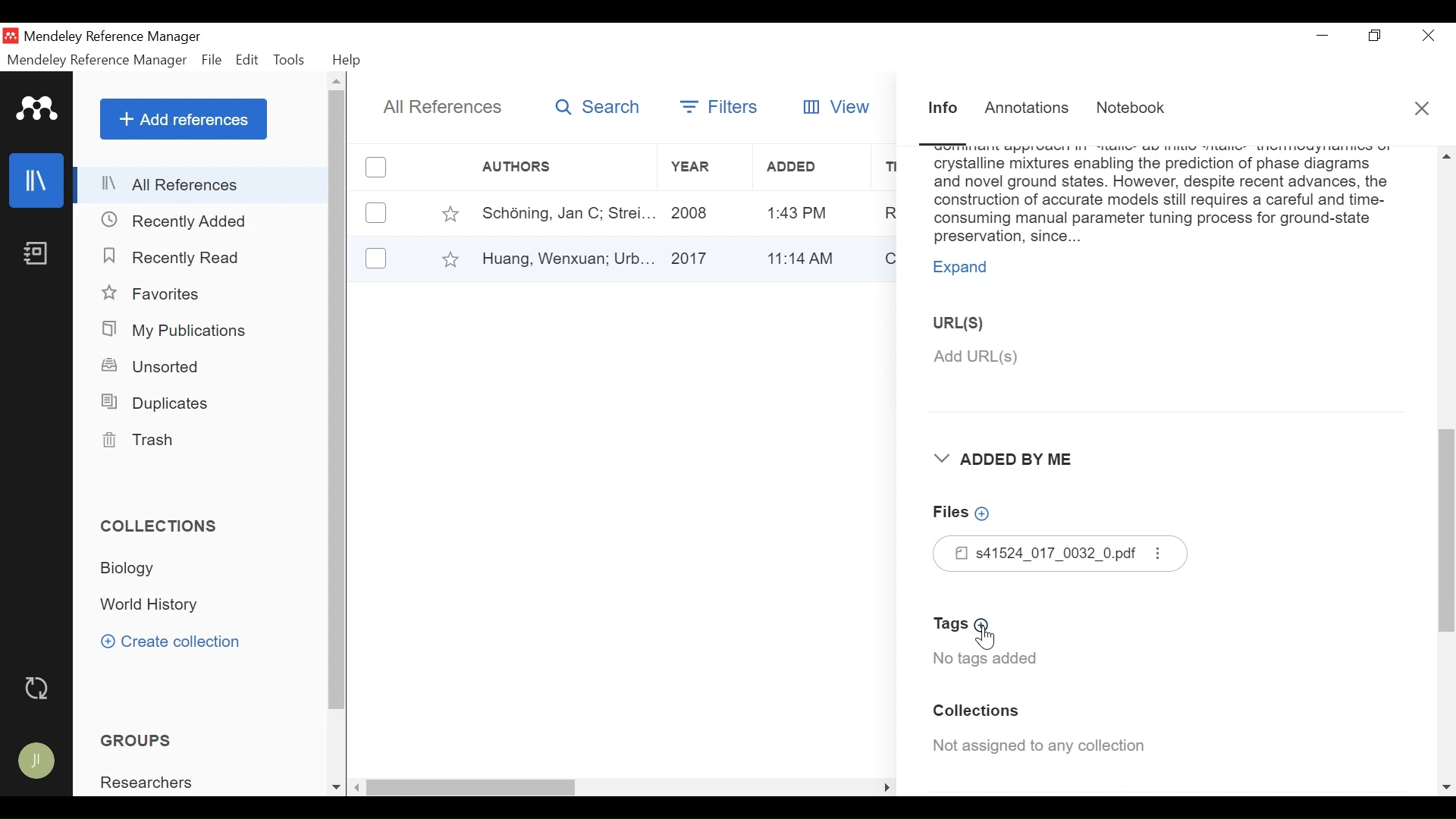 The image size is (1456, 819). Describe the element at coordinates (289, 60) in the screenshot. I see `Tools` at that location.